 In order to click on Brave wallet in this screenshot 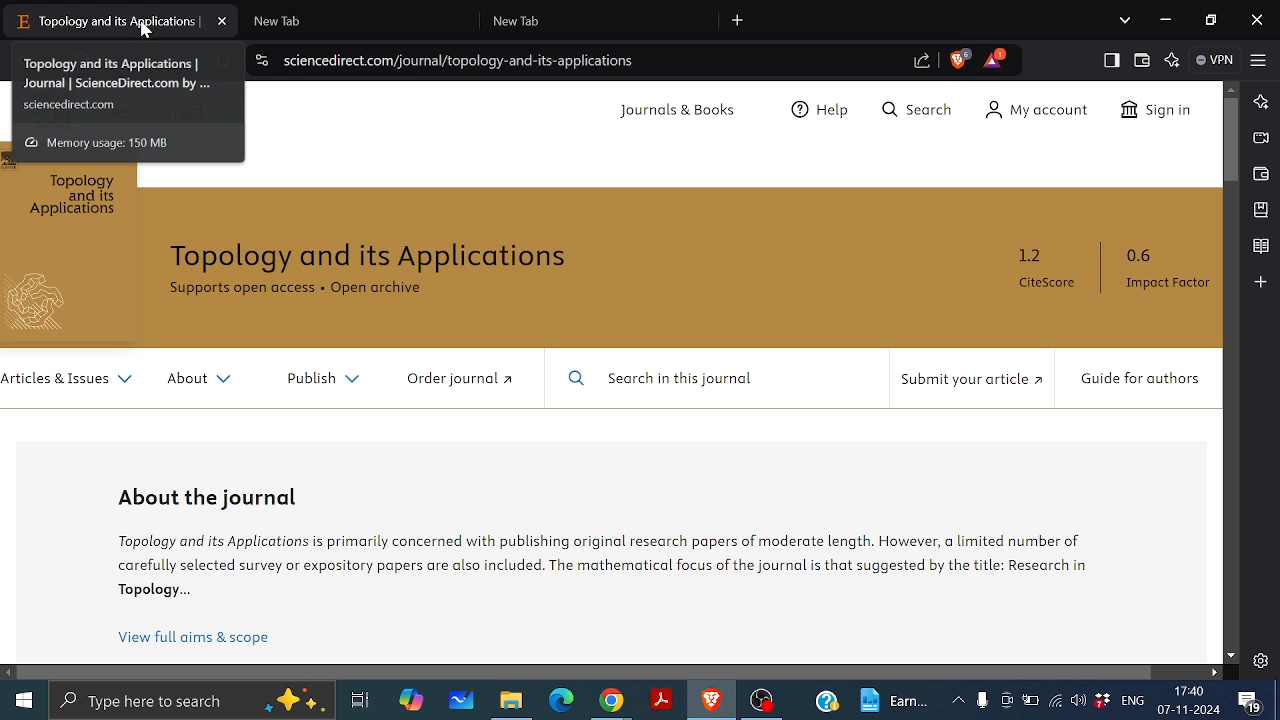, I will do `click(1261, 173)`.